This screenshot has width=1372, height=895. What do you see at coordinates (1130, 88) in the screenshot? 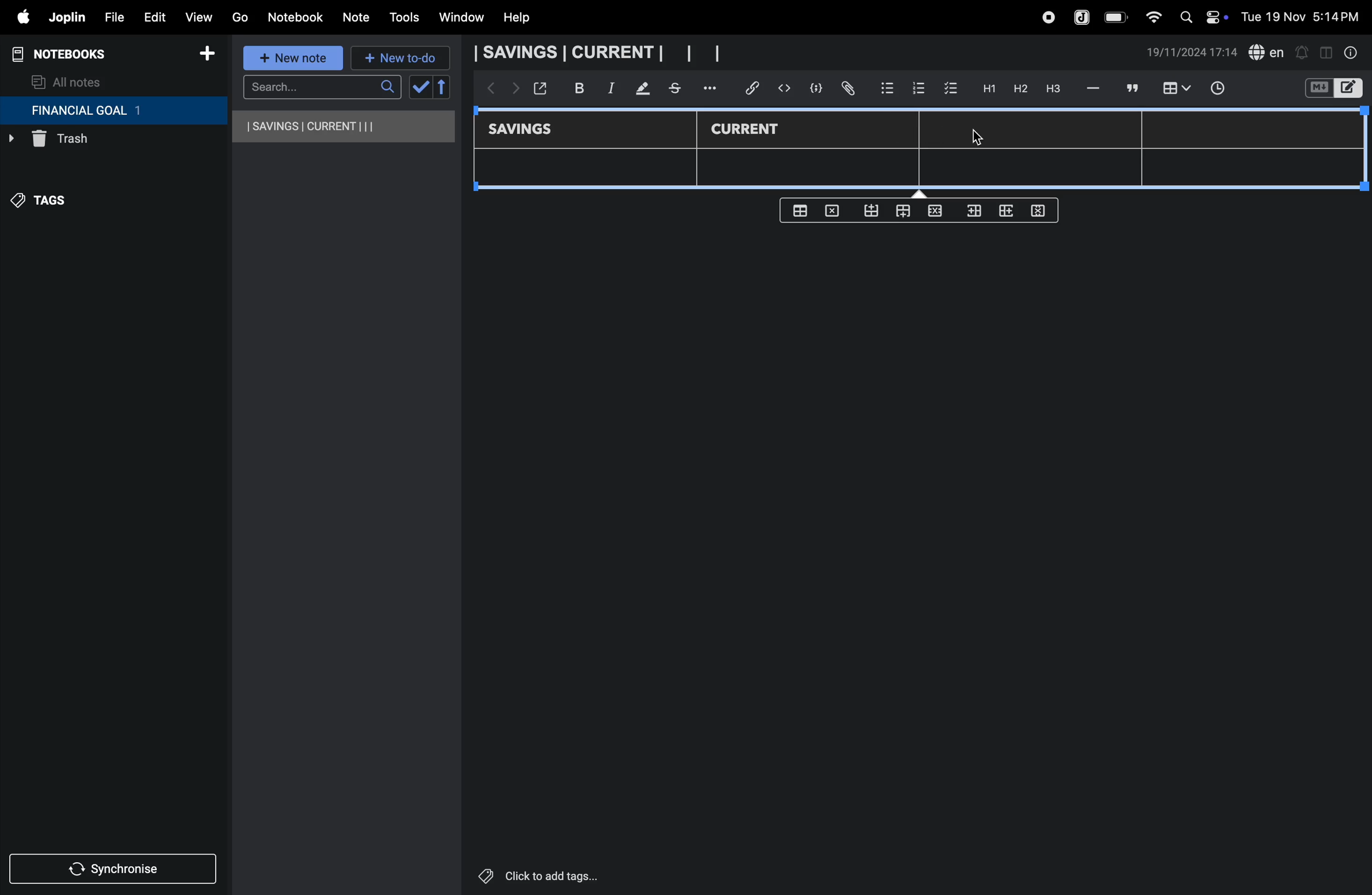
I see `comment` at bounding box center [1130, 88].